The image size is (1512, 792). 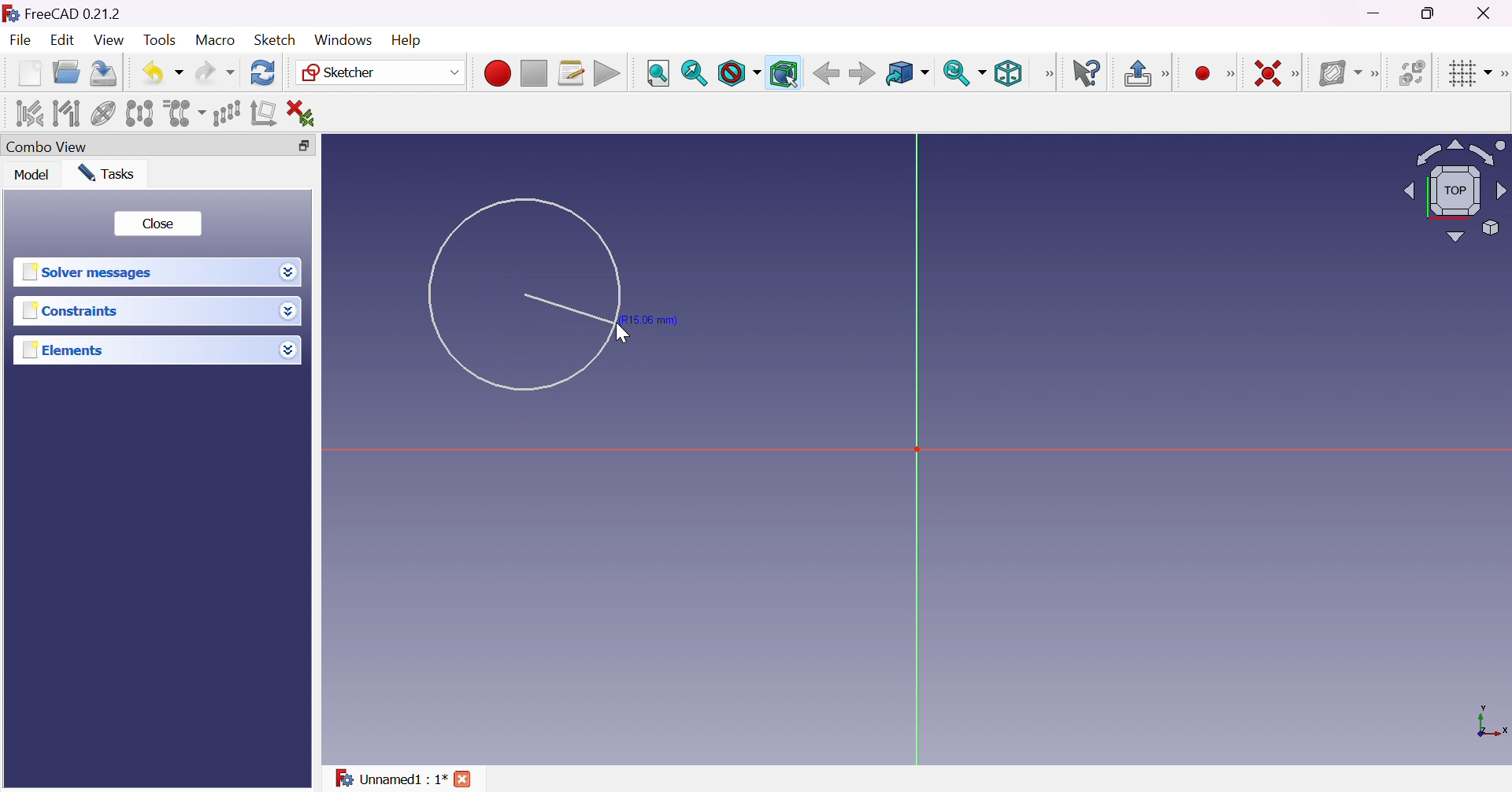 What do you see at coordinates (65, 73) in the screenshot?
I see `Open...` at bounding box center [65, 73].